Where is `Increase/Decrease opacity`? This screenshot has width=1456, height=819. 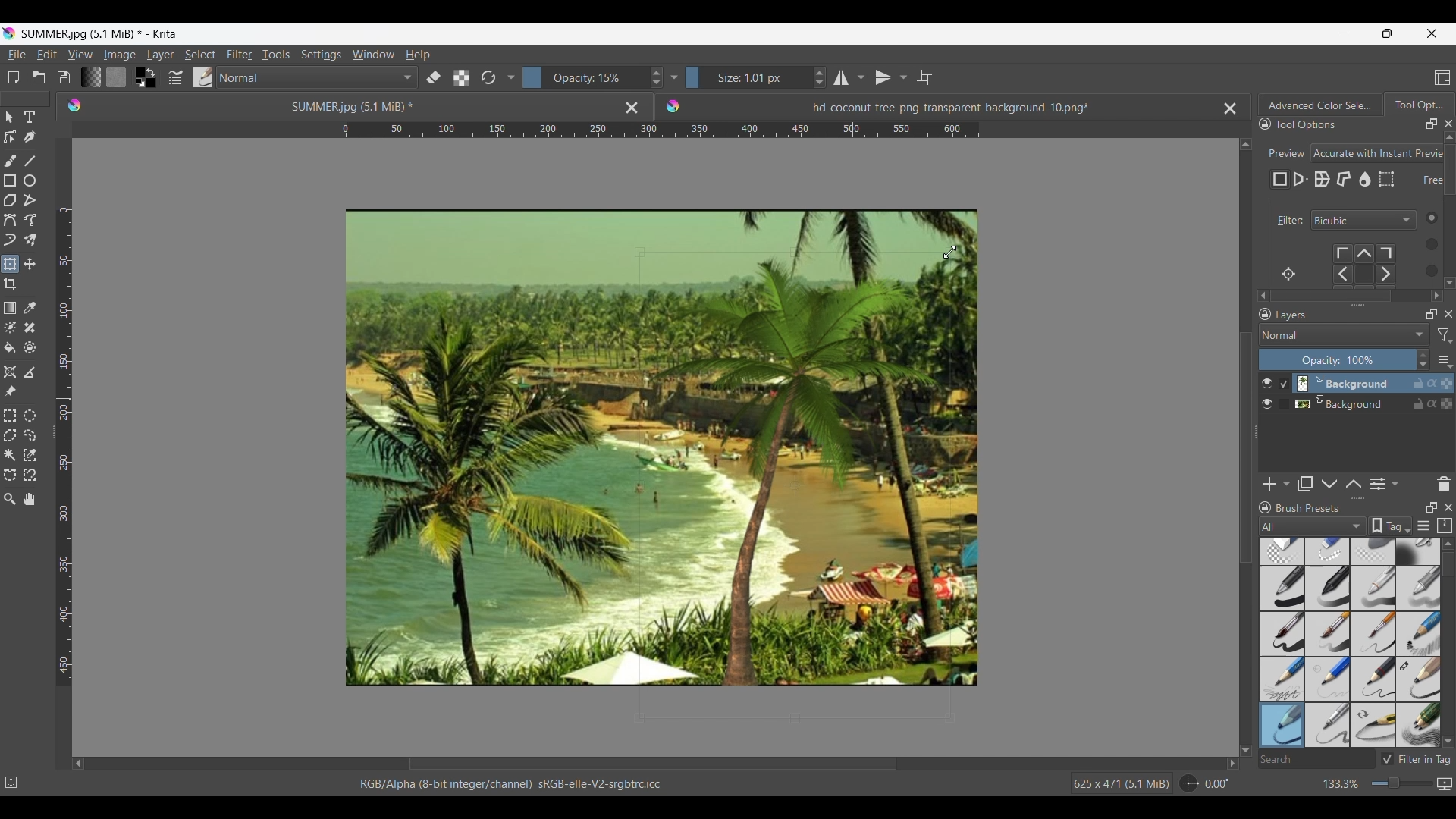 Increase/Decrease opacity is located at coordinates (1345, 359).